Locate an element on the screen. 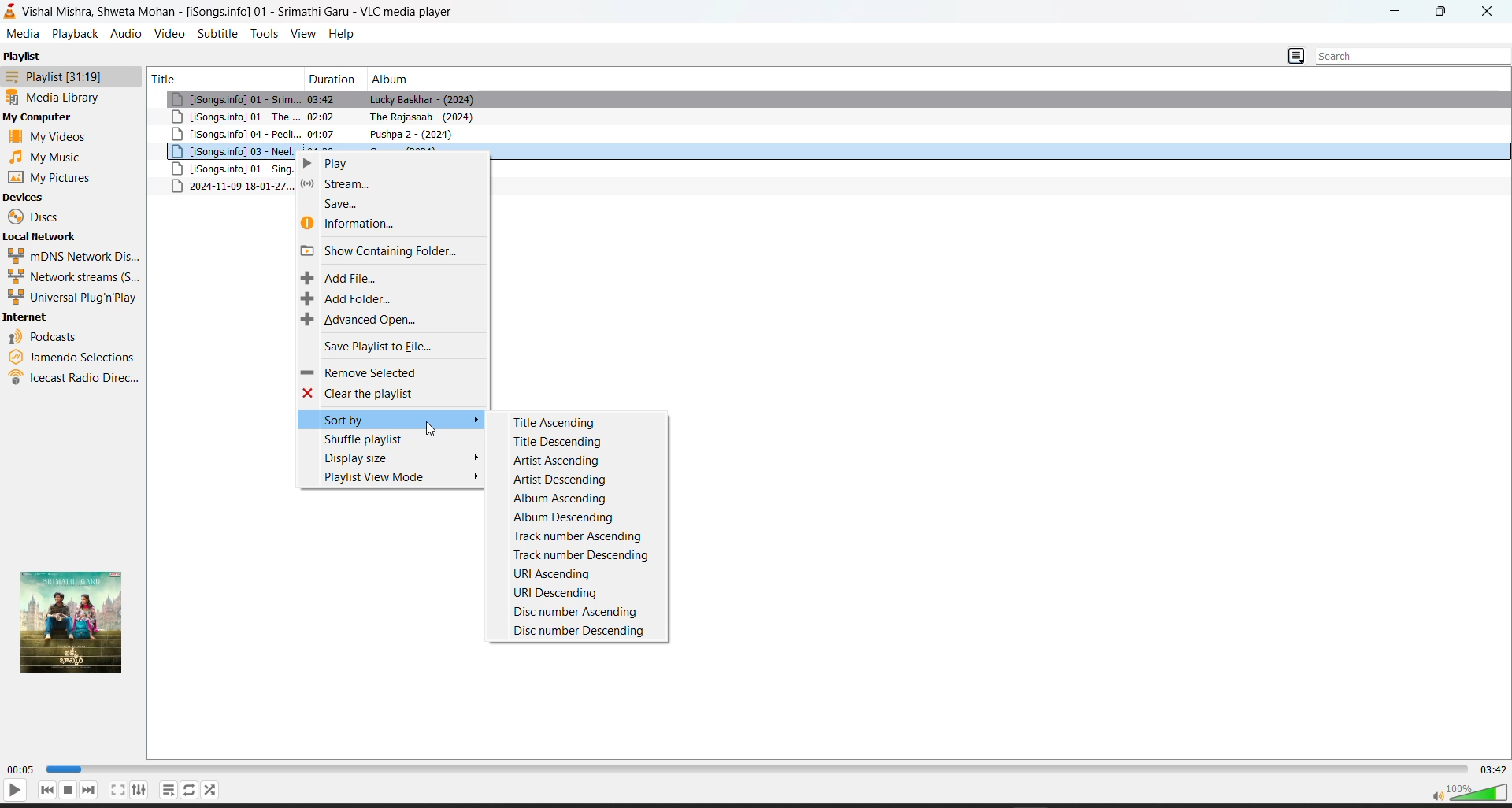 Image resolution: width=1512 pixels, height=808 pixels. song is located at coordinates (828, 98).